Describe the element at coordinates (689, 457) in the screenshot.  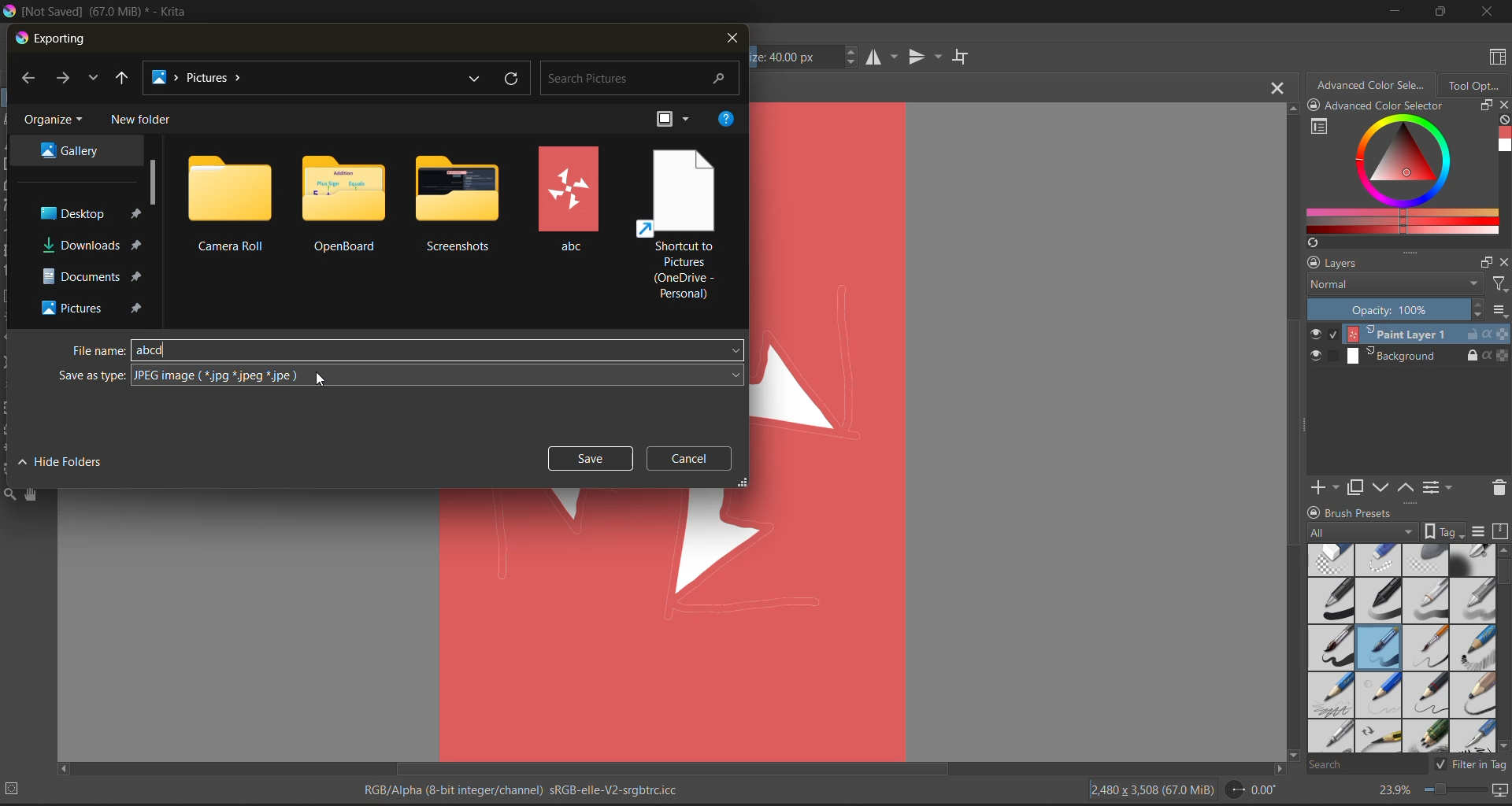
I see `cancel` at that location.